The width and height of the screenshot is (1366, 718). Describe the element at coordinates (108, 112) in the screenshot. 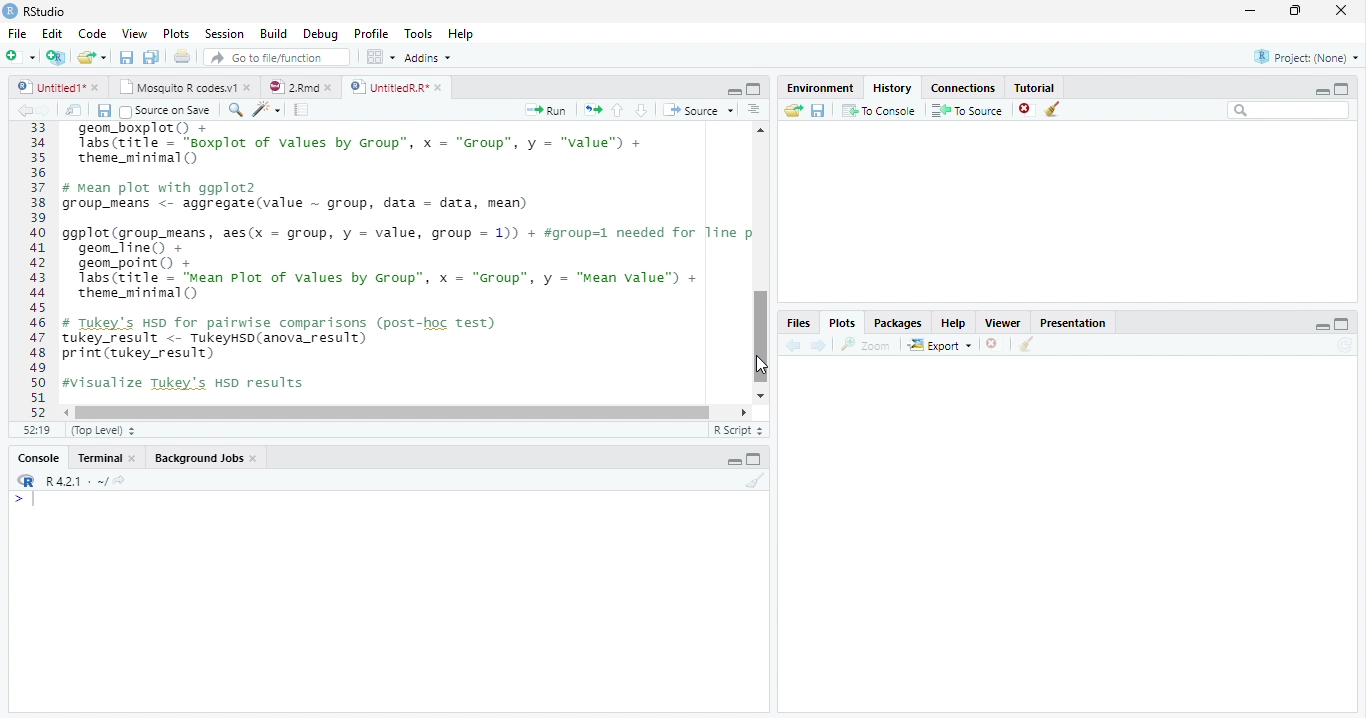

I see `Save all` at that location.